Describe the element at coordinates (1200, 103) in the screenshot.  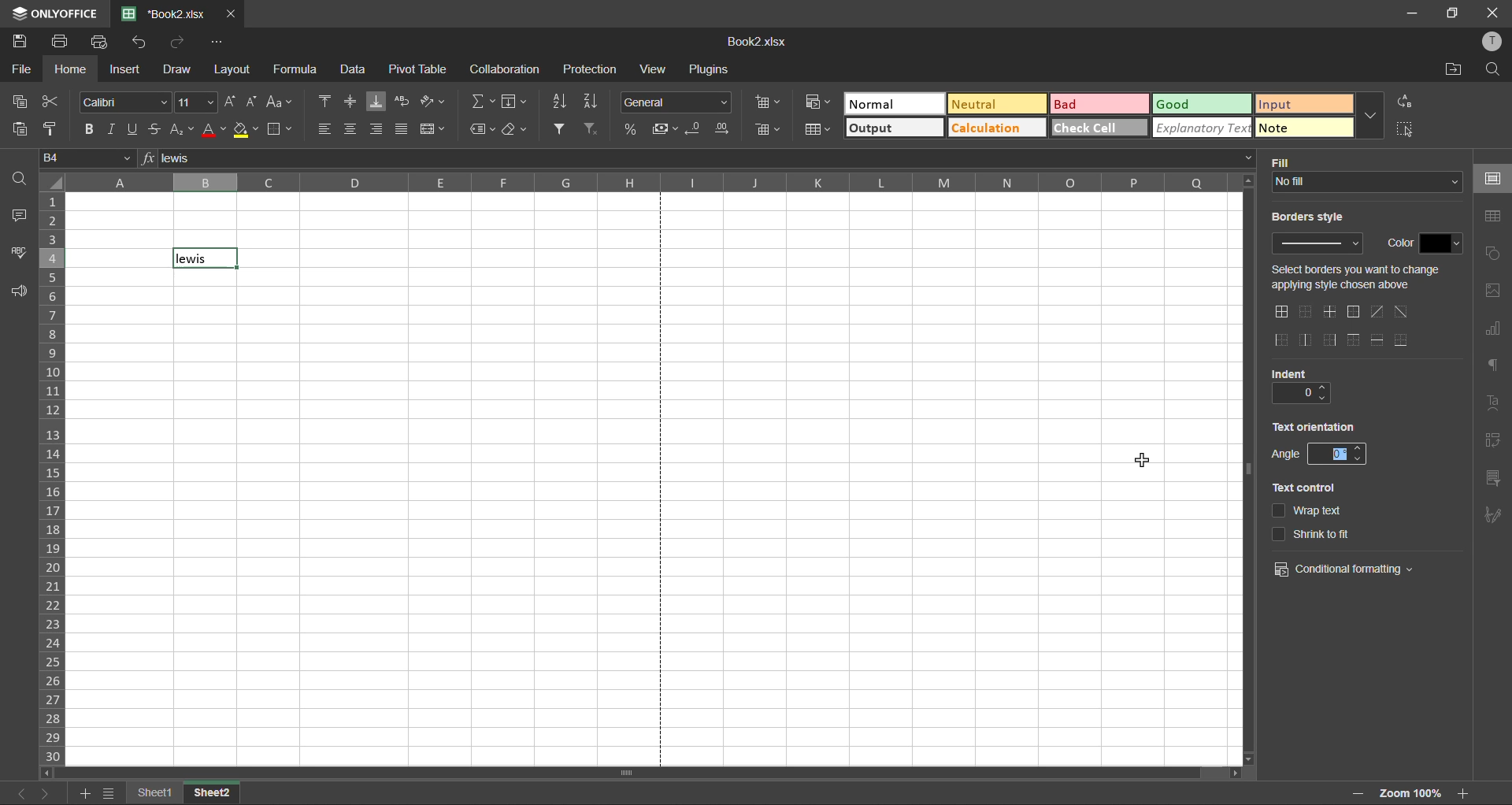
I see `good` at that location.